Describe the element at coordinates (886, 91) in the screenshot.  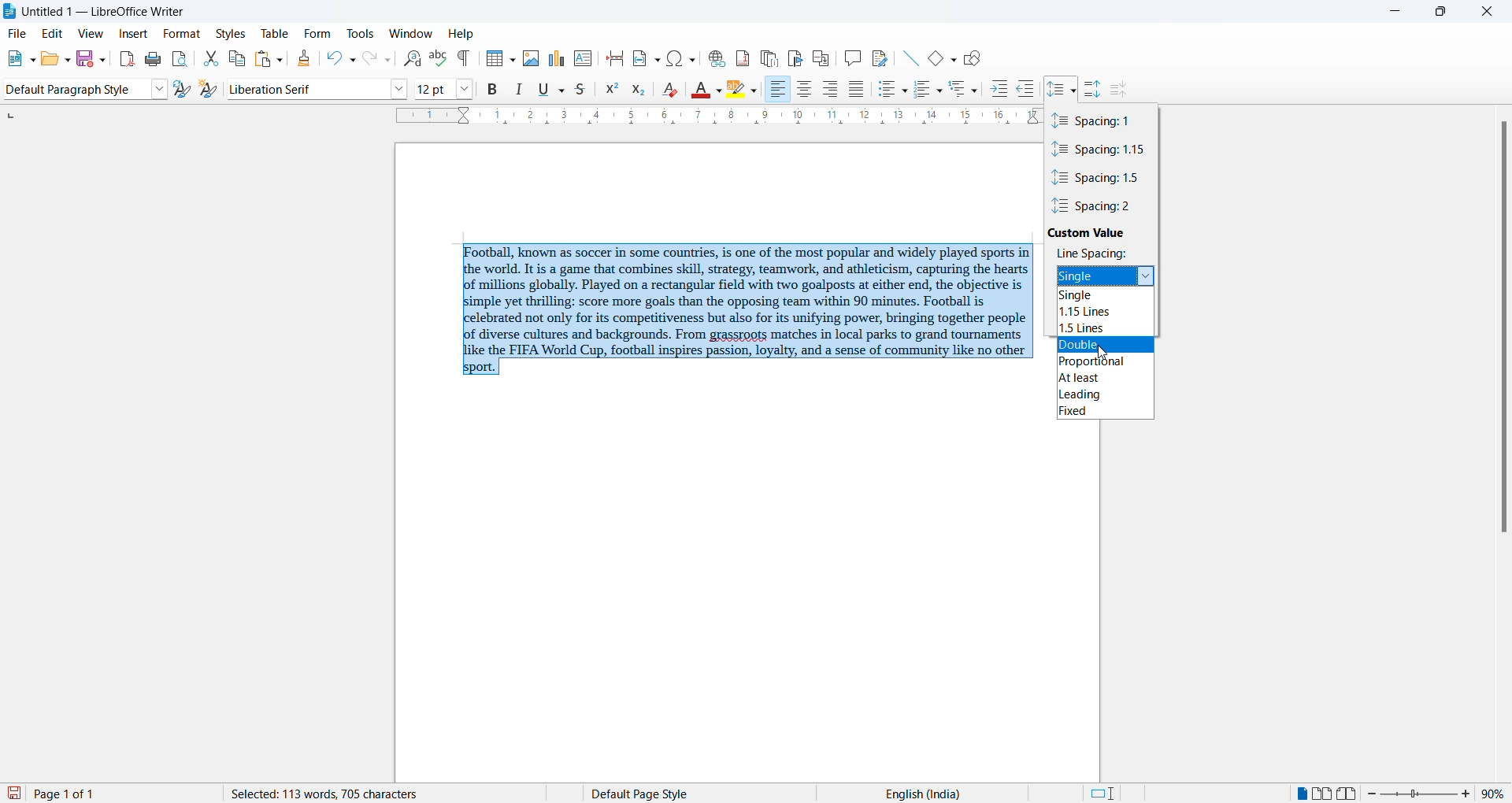
I see `toggle unordered list` at that location.